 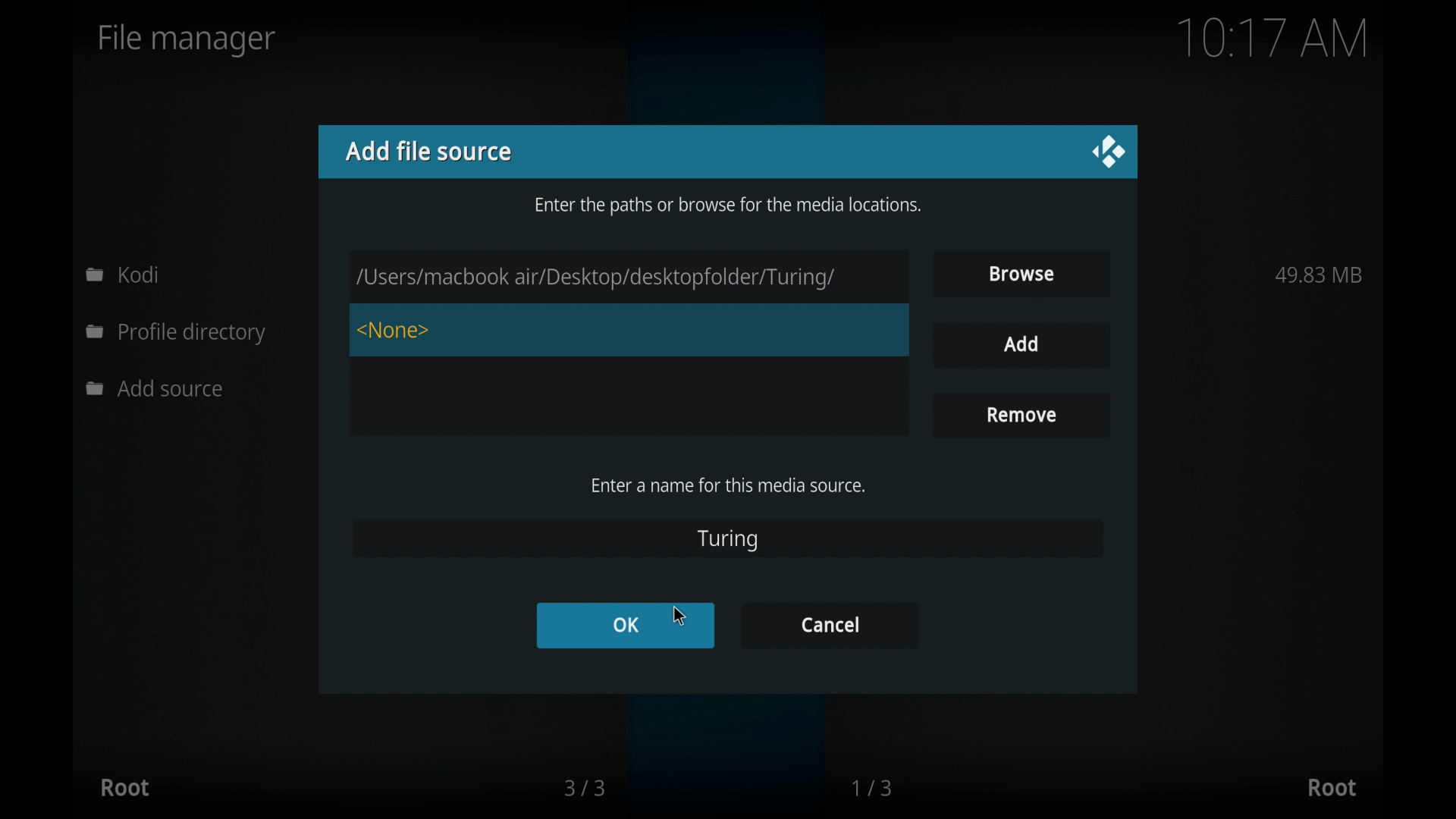 What do you see at coordinates (123, 274) in the screenshot?
I see `kodi` at bounding box center [123, 274].